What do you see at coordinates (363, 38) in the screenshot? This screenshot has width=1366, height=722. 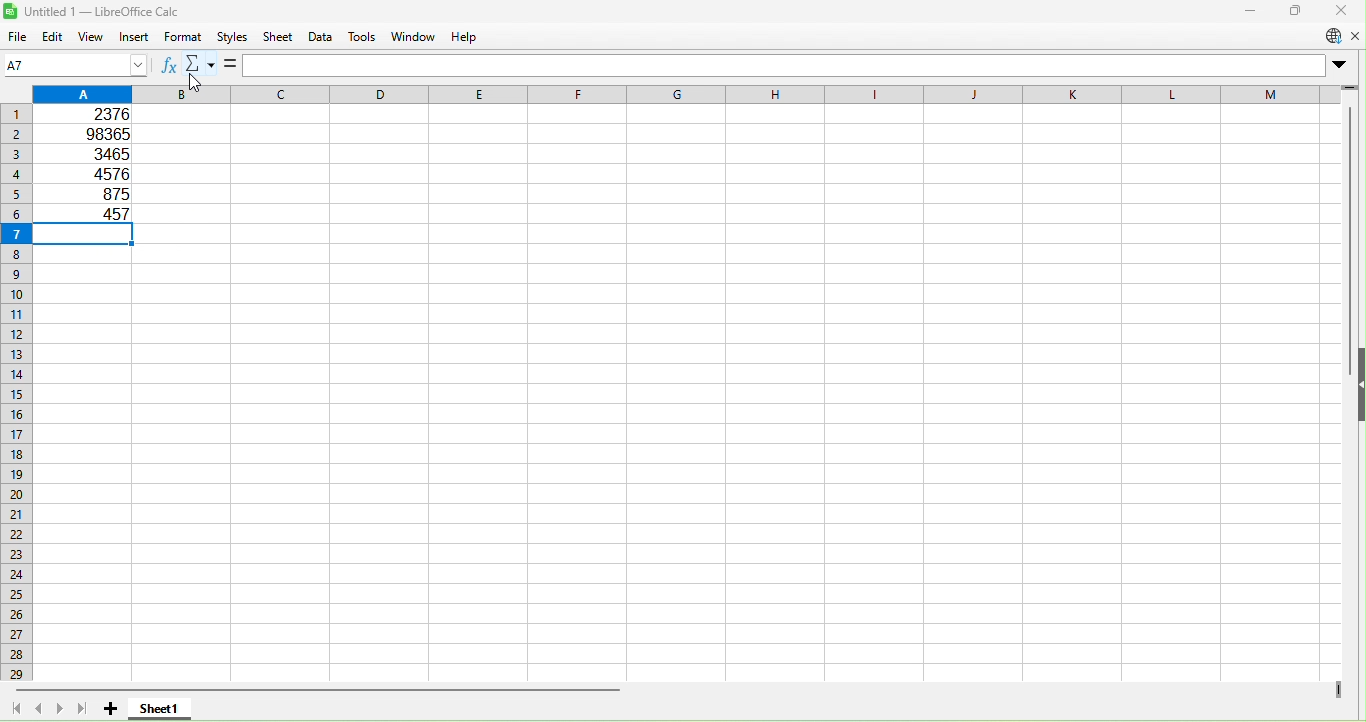 I see `Tools` at bounding box center [363, 38].